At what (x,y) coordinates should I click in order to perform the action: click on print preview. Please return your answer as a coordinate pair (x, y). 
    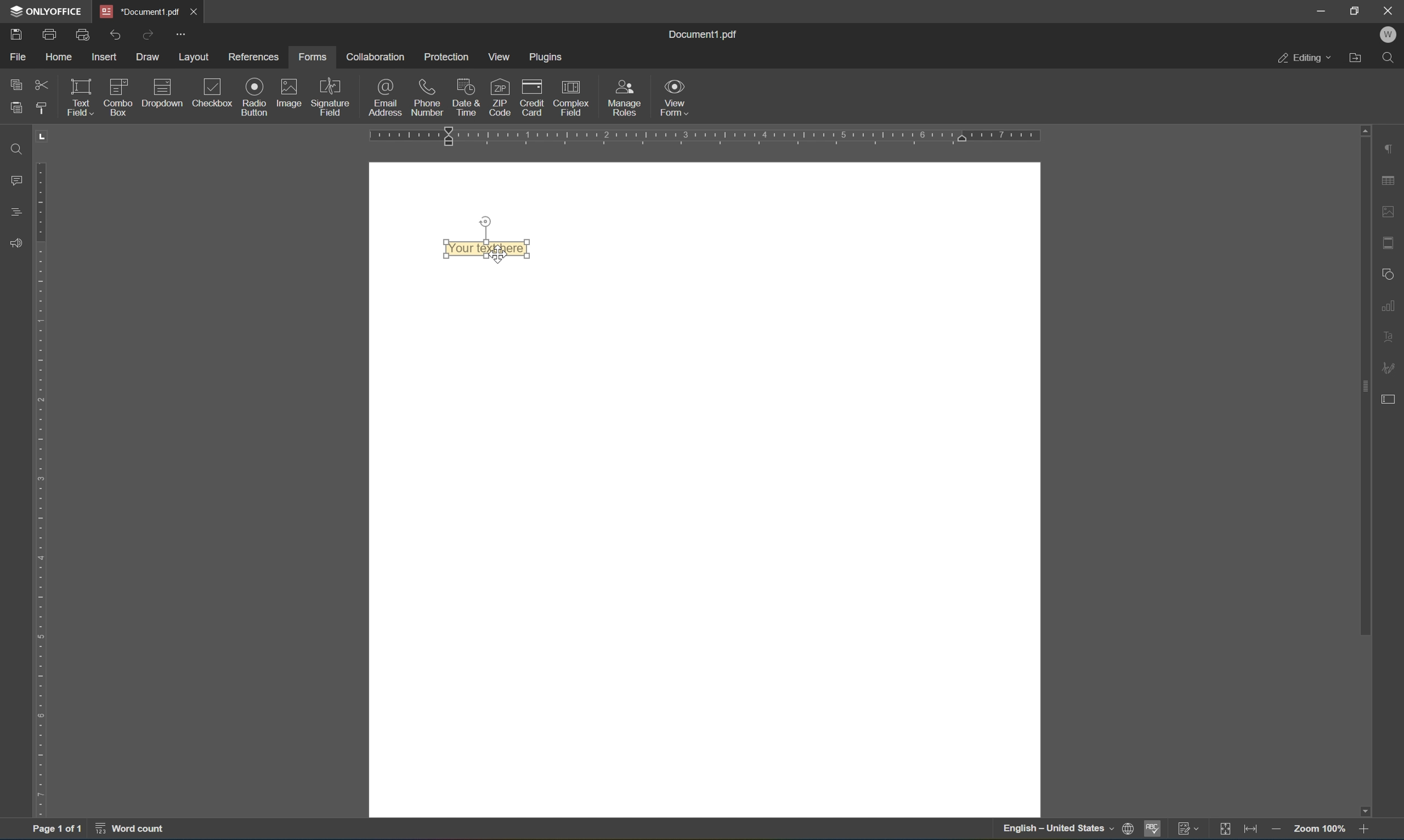
    Looking at the image, I should click on (82, 33).